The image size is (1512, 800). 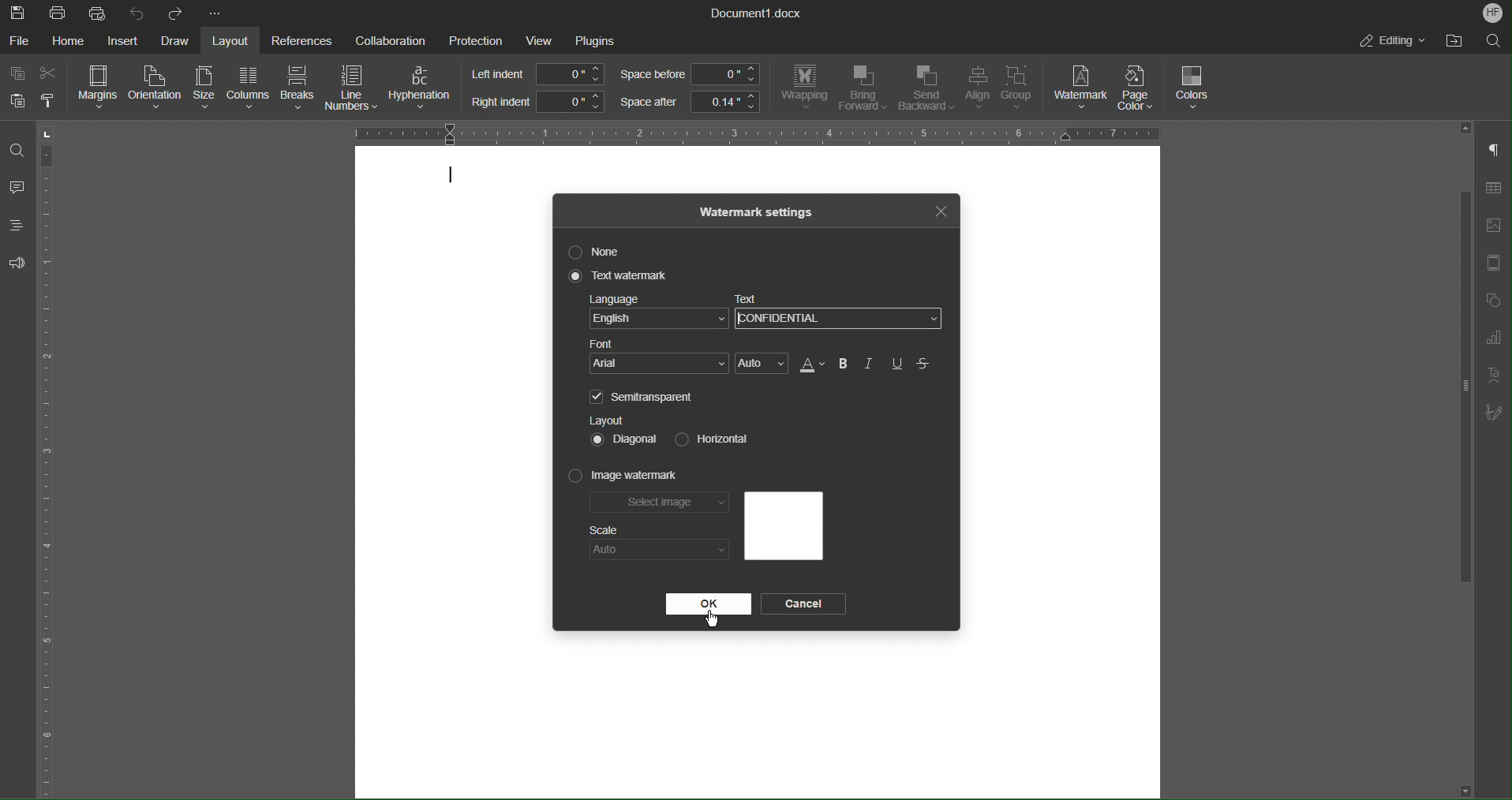 I want to click on Watermark settings, so click(x=758, y=211).